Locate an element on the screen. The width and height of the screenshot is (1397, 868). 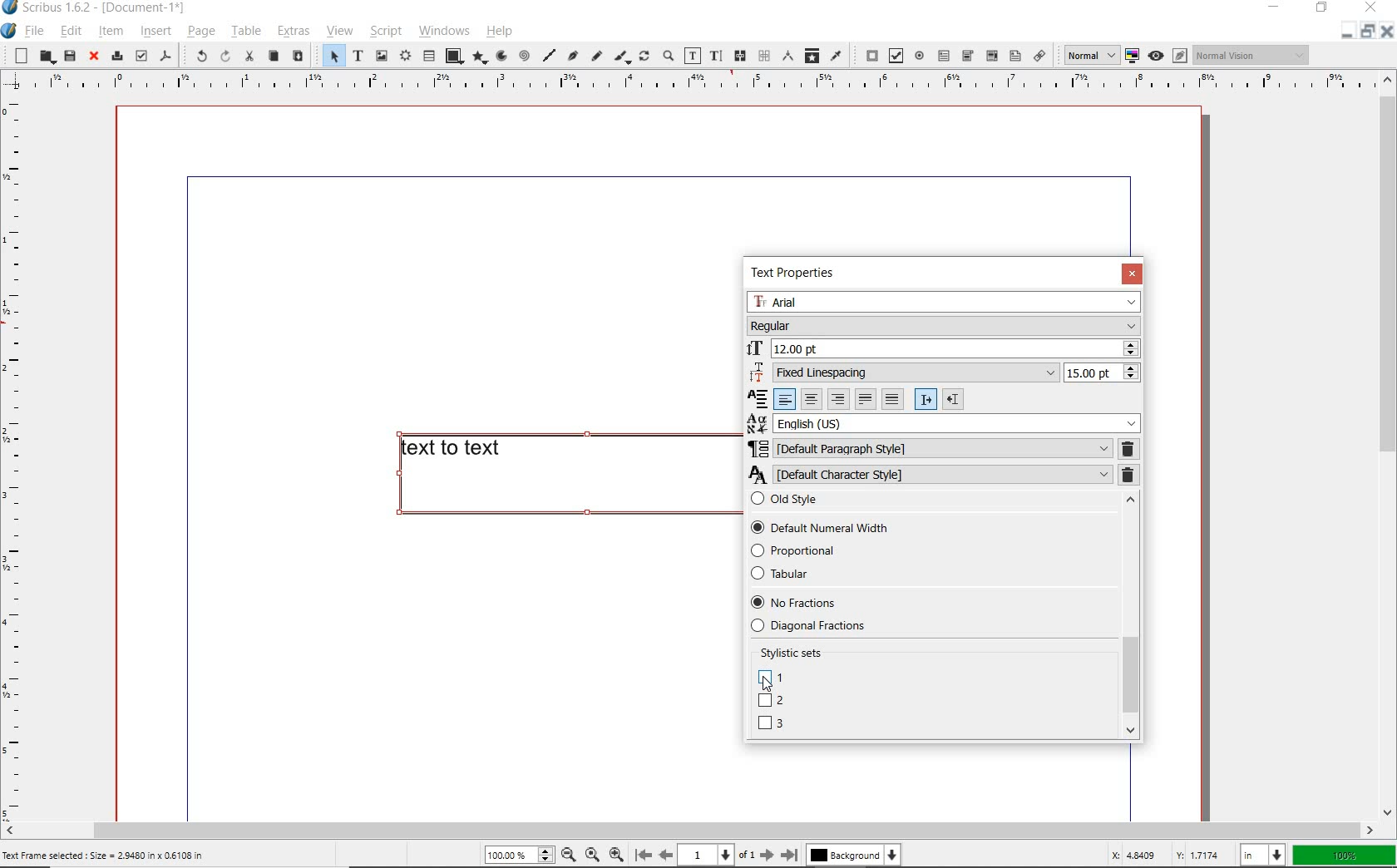
page is located at coordinates (200, 32).